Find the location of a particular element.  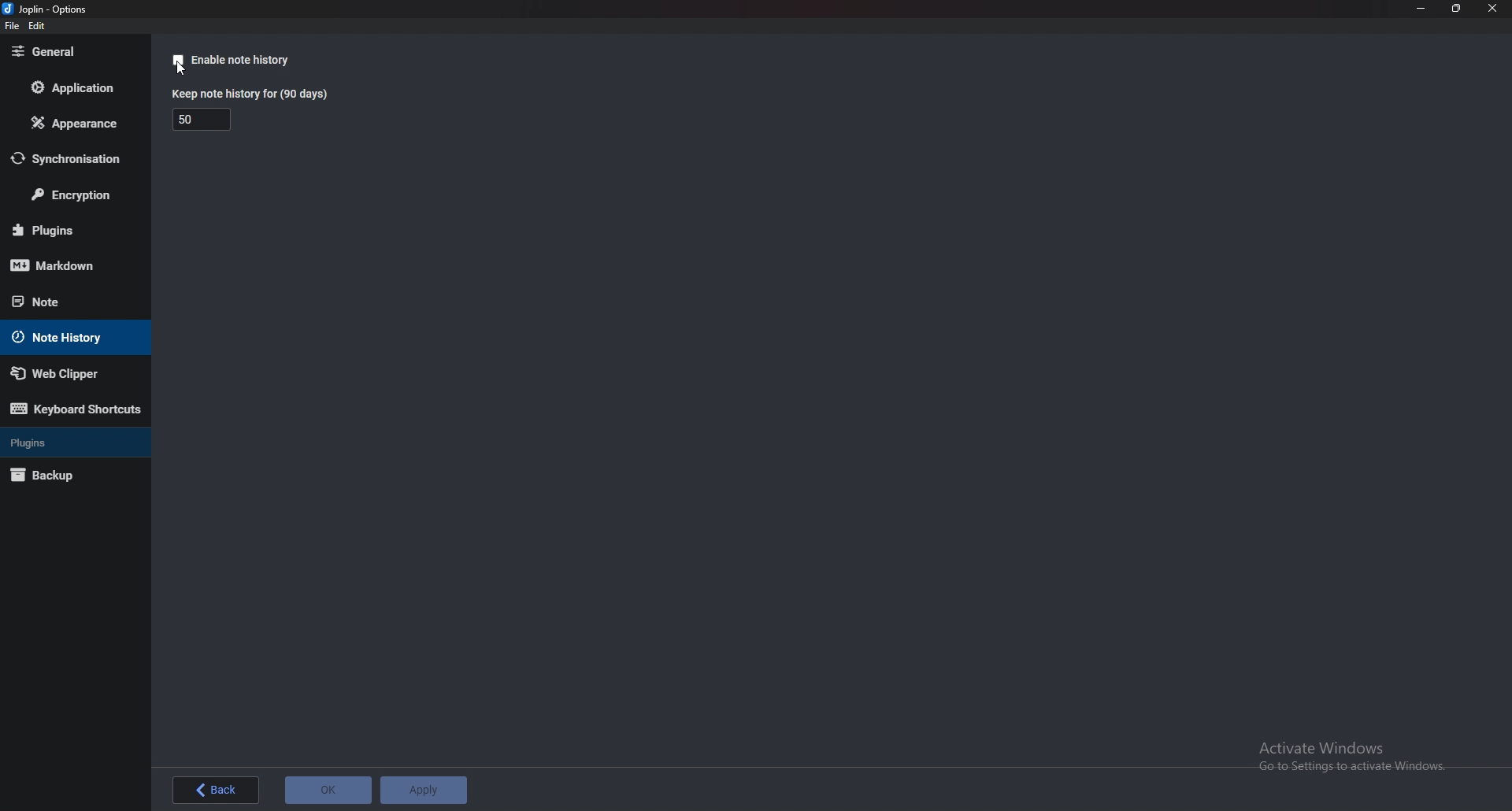

Joplin - Options is located at coordinates (49, 9).